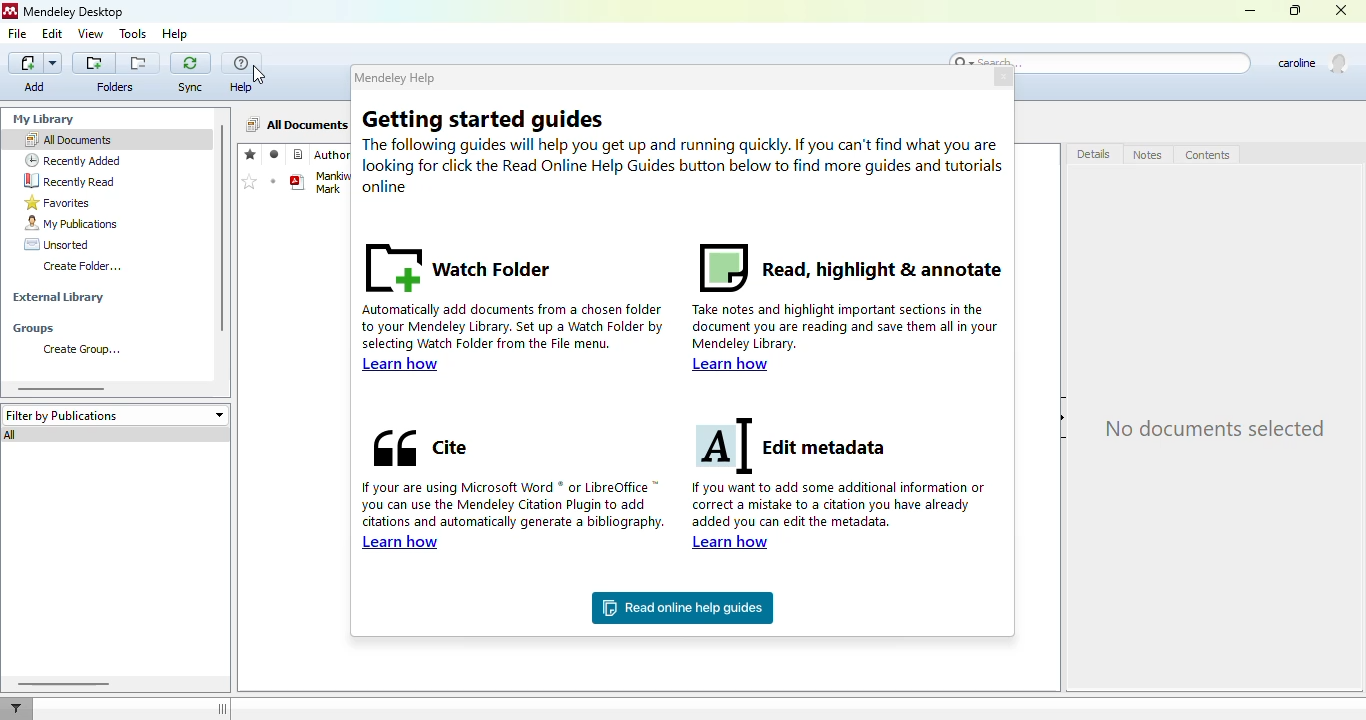 Image resolution: width=1366 pixels, height=720 pixels. Describe the element at coordinates (331, 181) in the screenshot. I see `Mankiw N. Gregory Taylor P. Mark` at that location.